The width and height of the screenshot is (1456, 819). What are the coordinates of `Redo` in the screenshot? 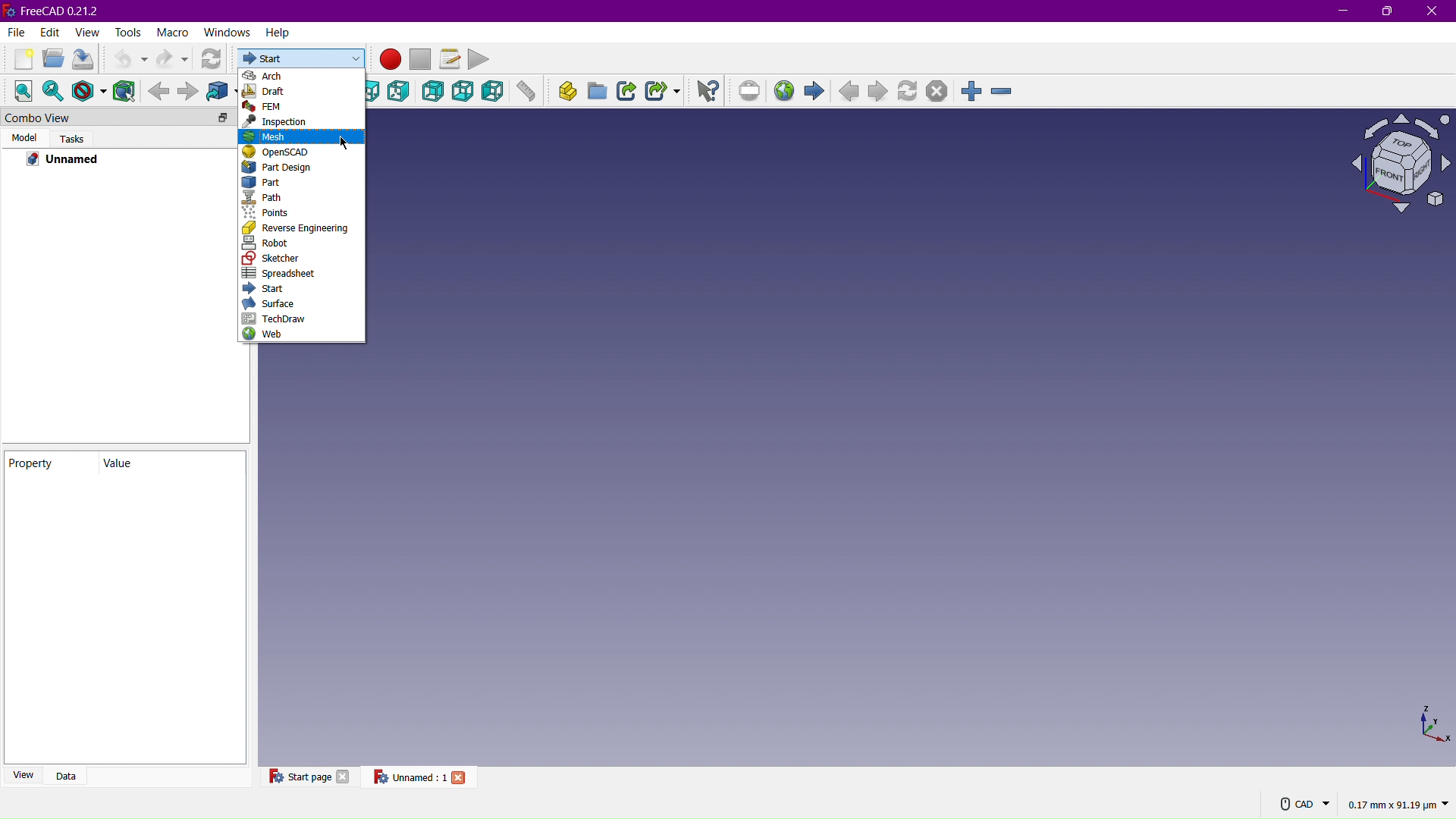 It's located at (174, 58).